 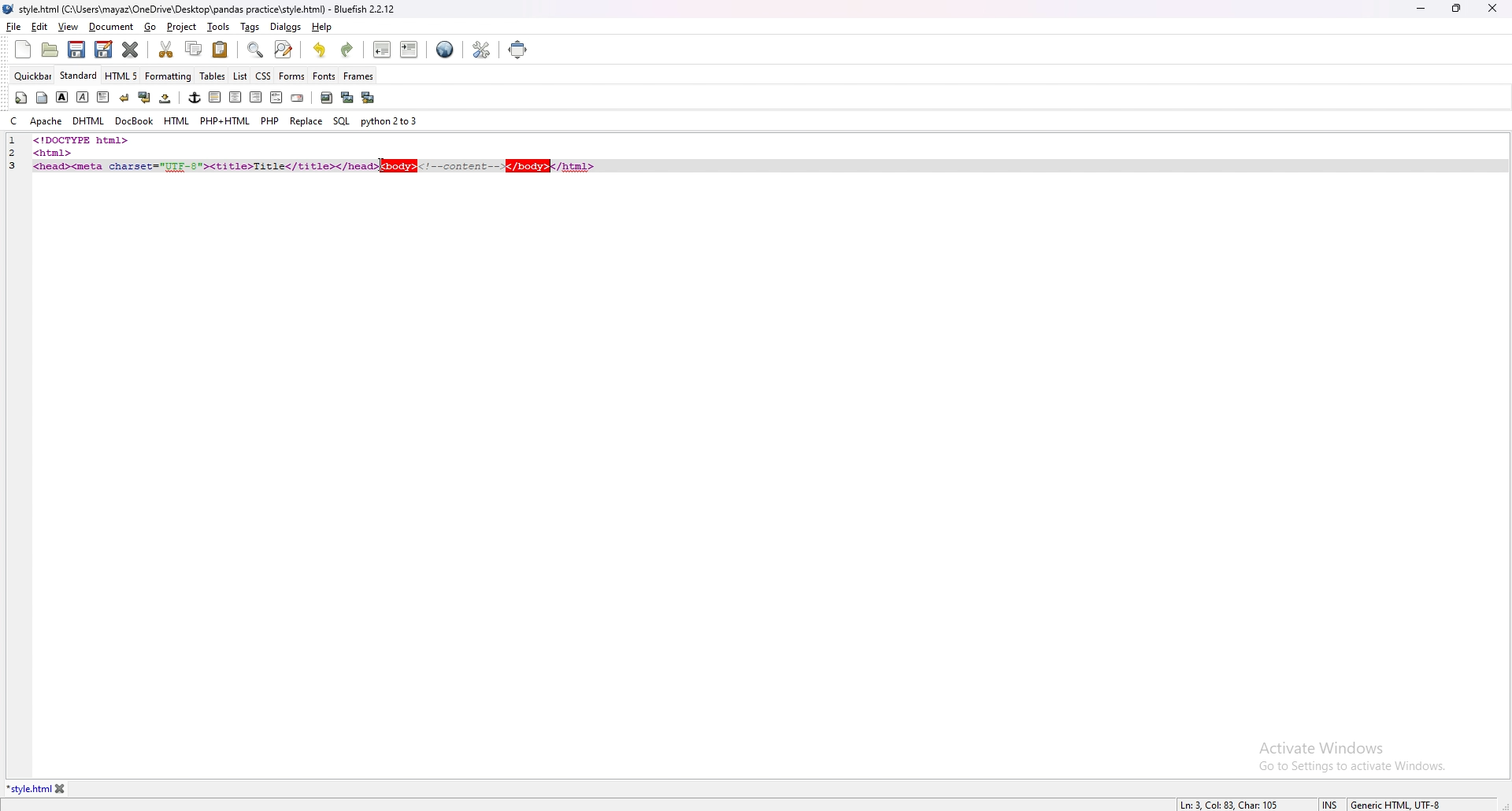 I want to click on go, so click(x=152, y=28).